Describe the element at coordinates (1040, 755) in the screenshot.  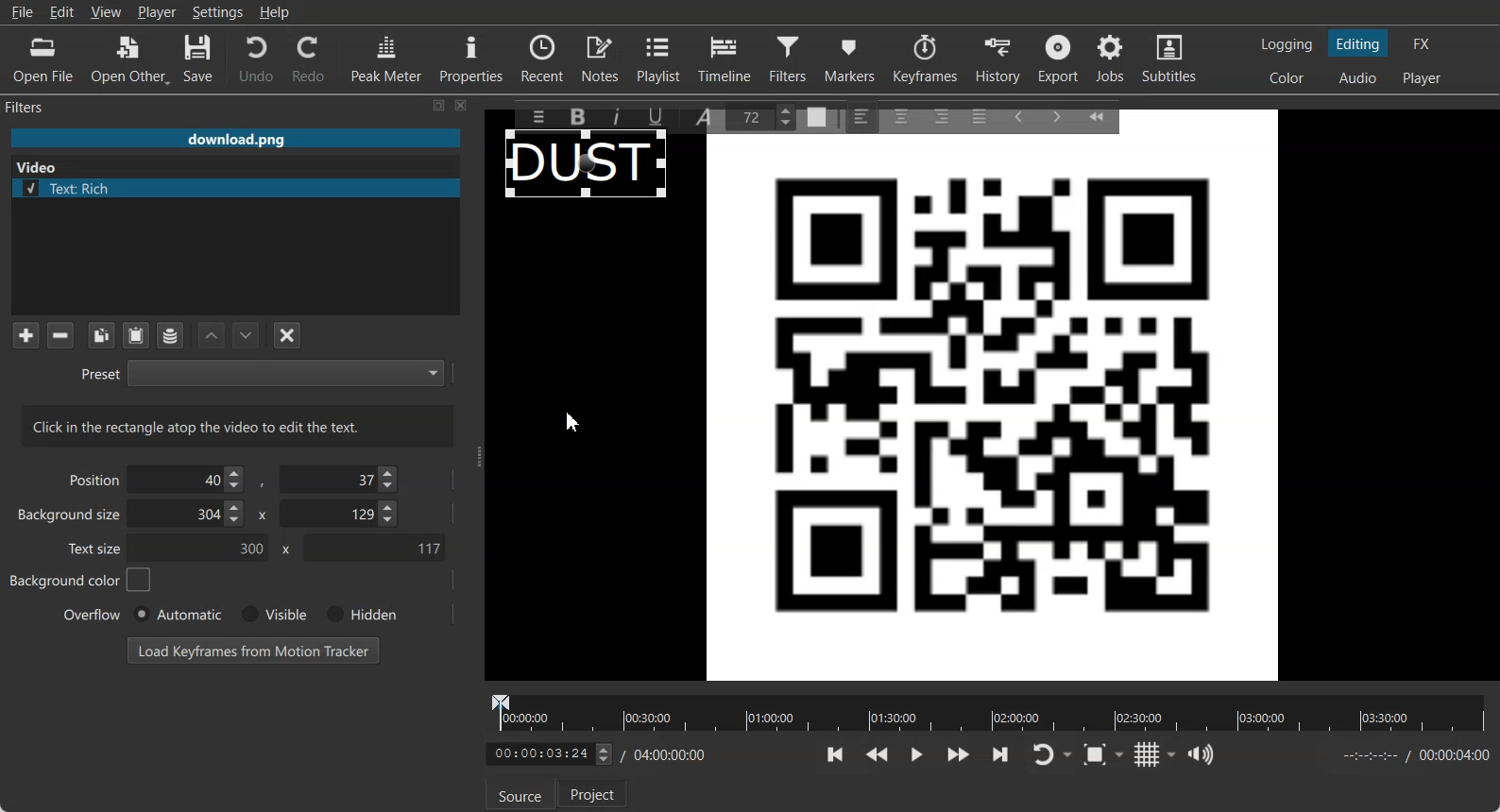
I see `Toggle player lopping` at that location.